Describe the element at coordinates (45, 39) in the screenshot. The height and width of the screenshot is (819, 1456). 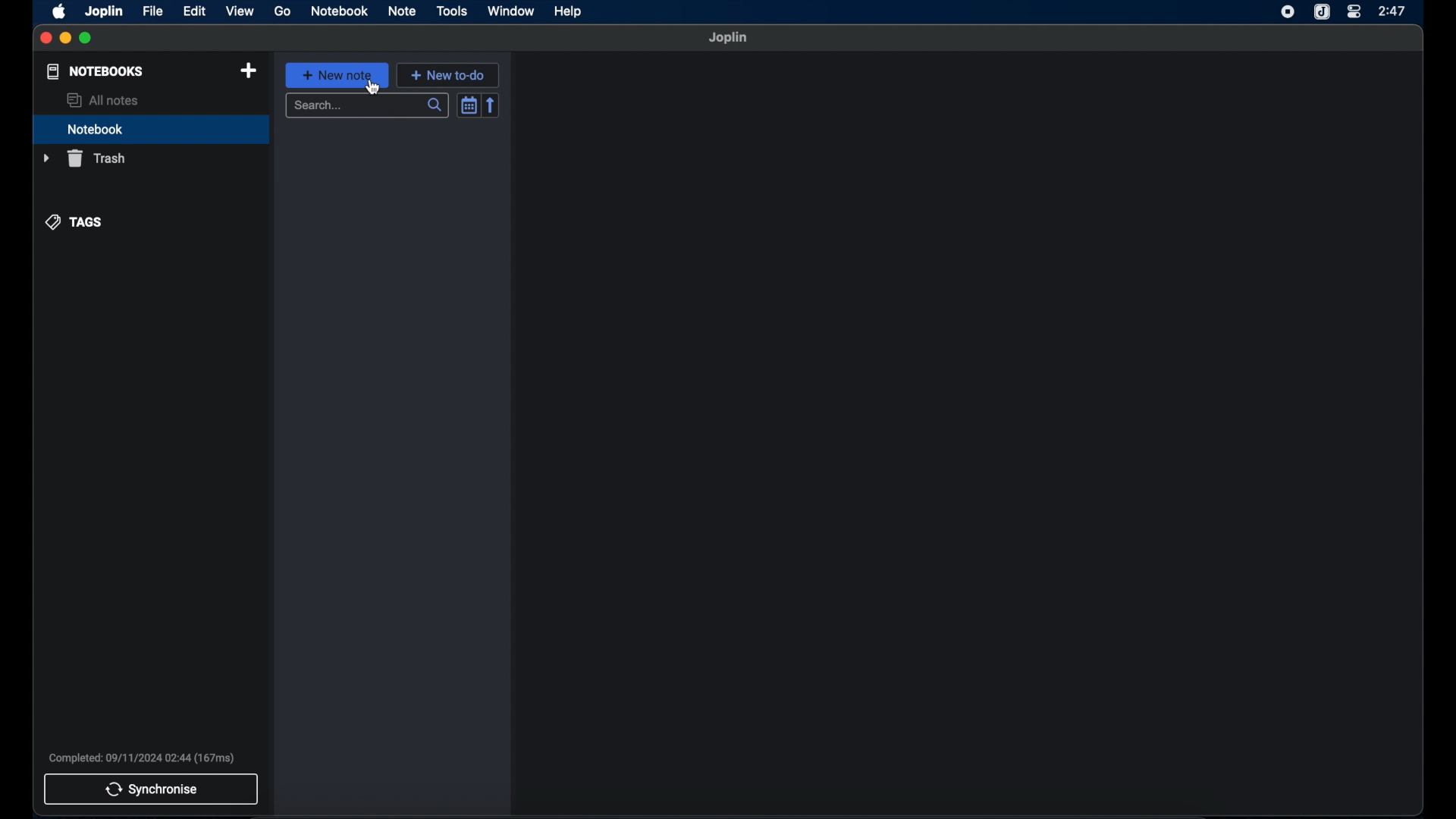
I see `close` at that location.